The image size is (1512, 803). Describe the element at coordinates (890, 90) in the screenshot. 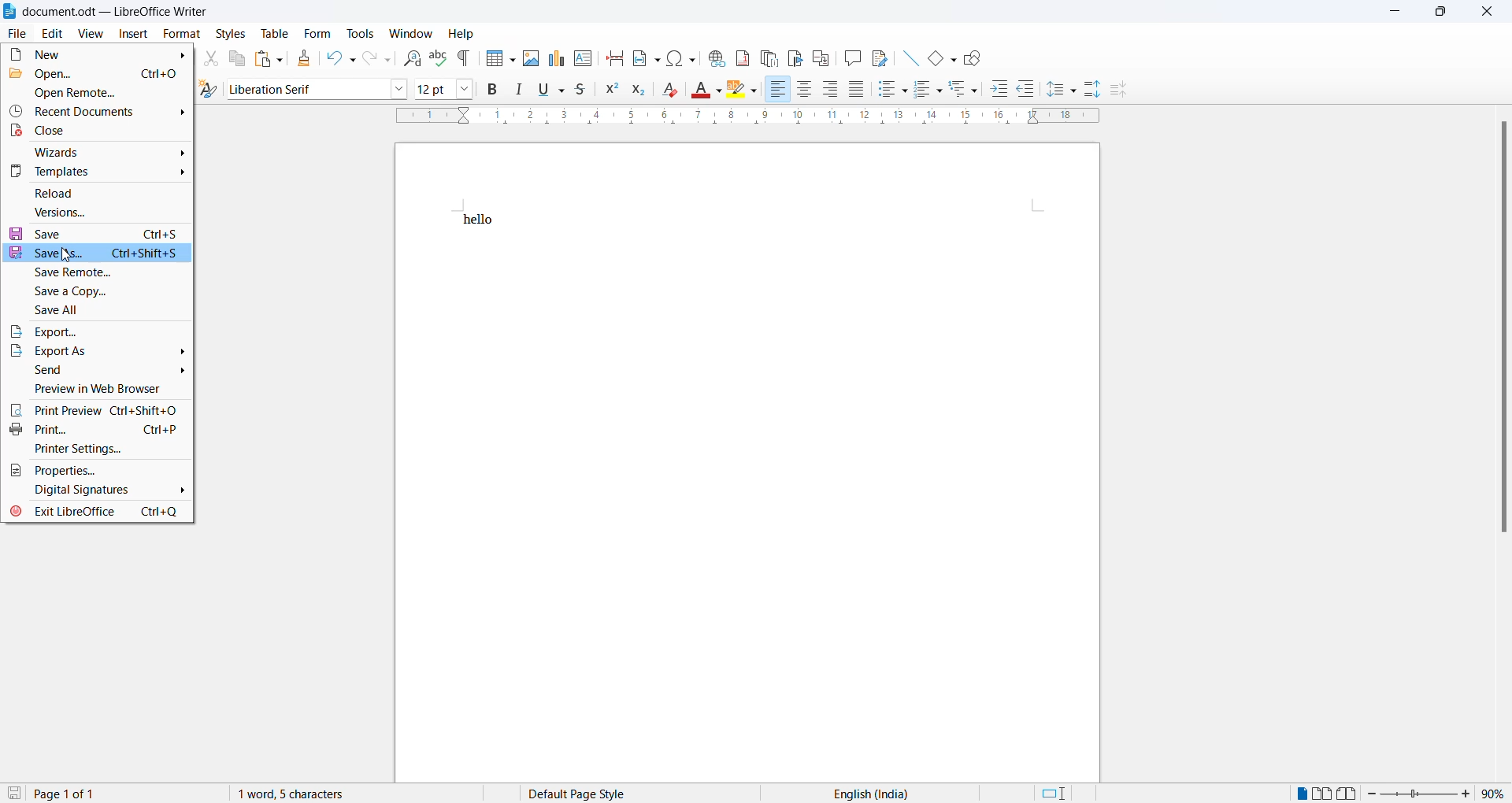

I see `Toggle unordered list` at that location.